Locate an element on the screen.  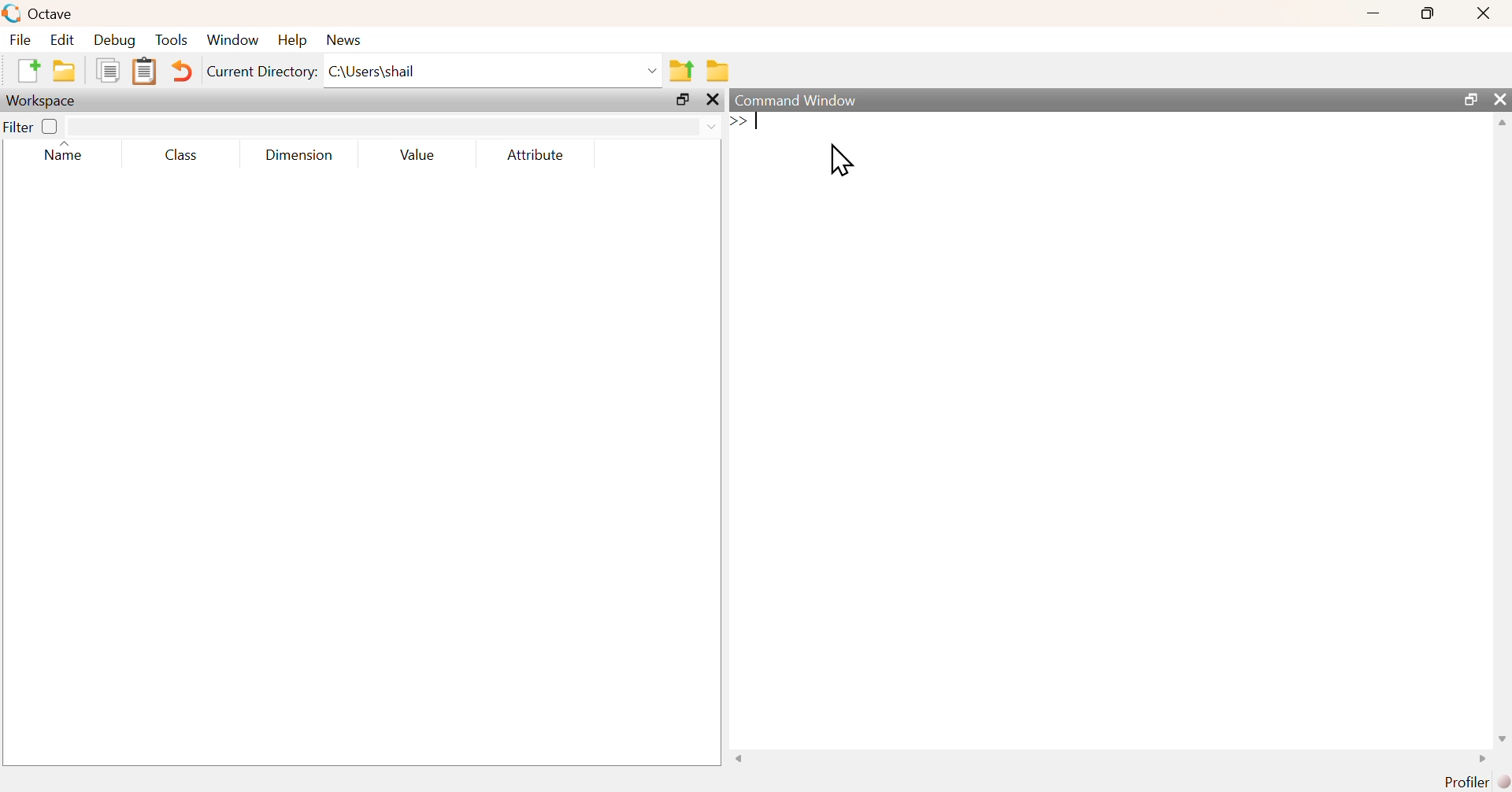
Undo is located at coordinates (183, 73).